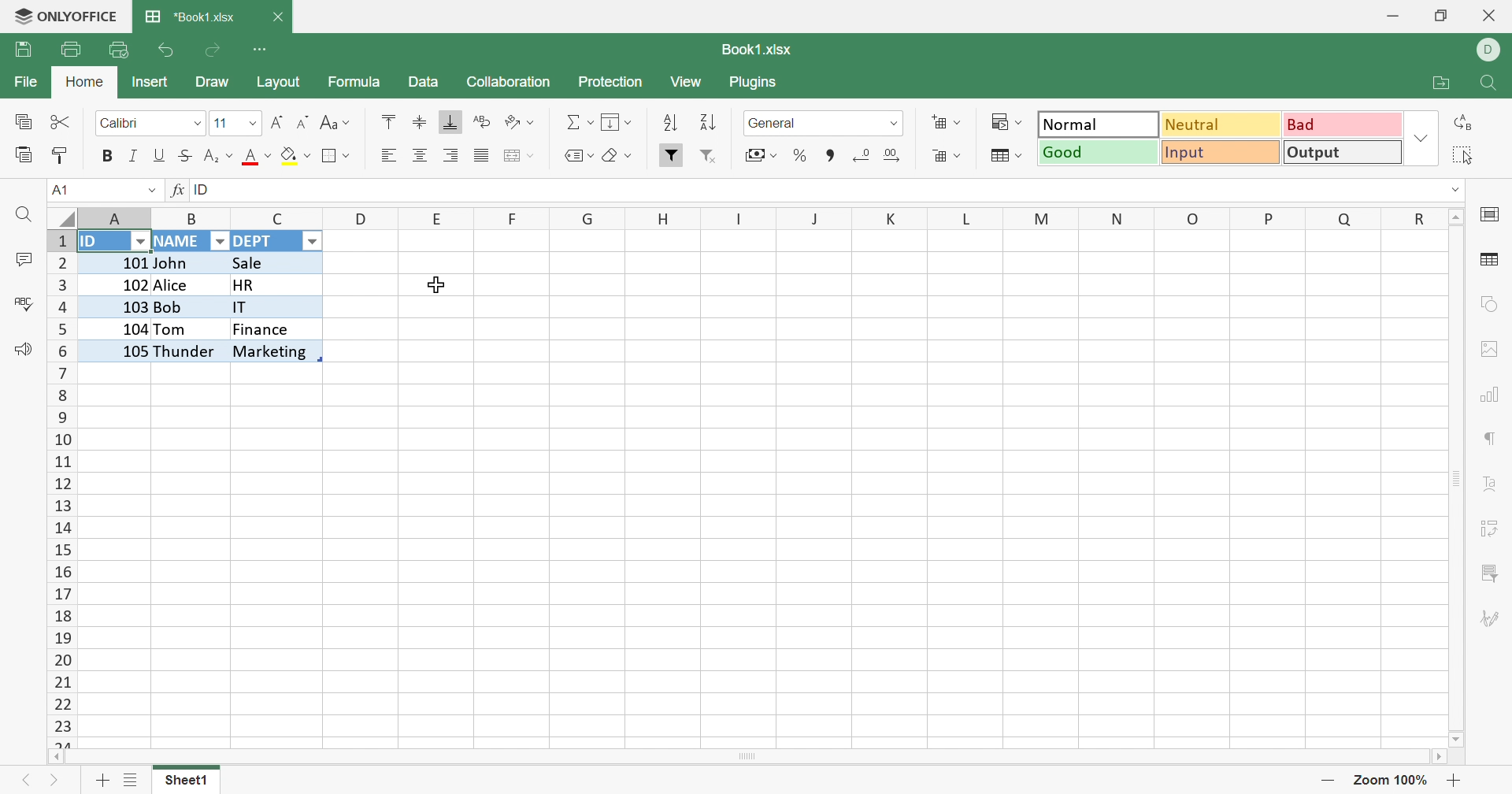 The image size is (1512, 794). Describe the element at coordinates (1467, 155) in the screenshot. I see `Select all` at that location.